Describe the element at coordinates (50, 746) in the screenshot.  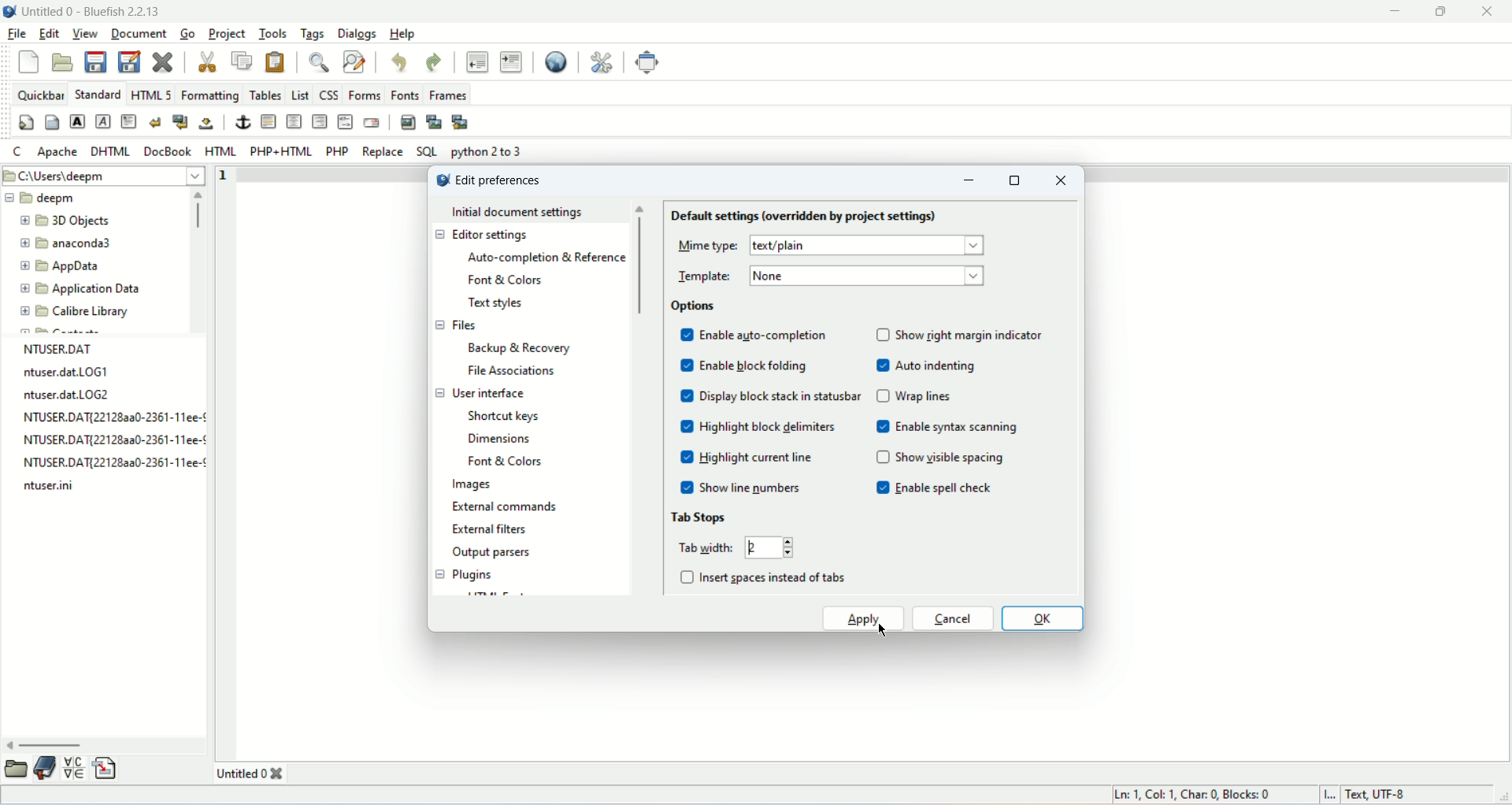
I see `horizontal scroll bar` at that location.